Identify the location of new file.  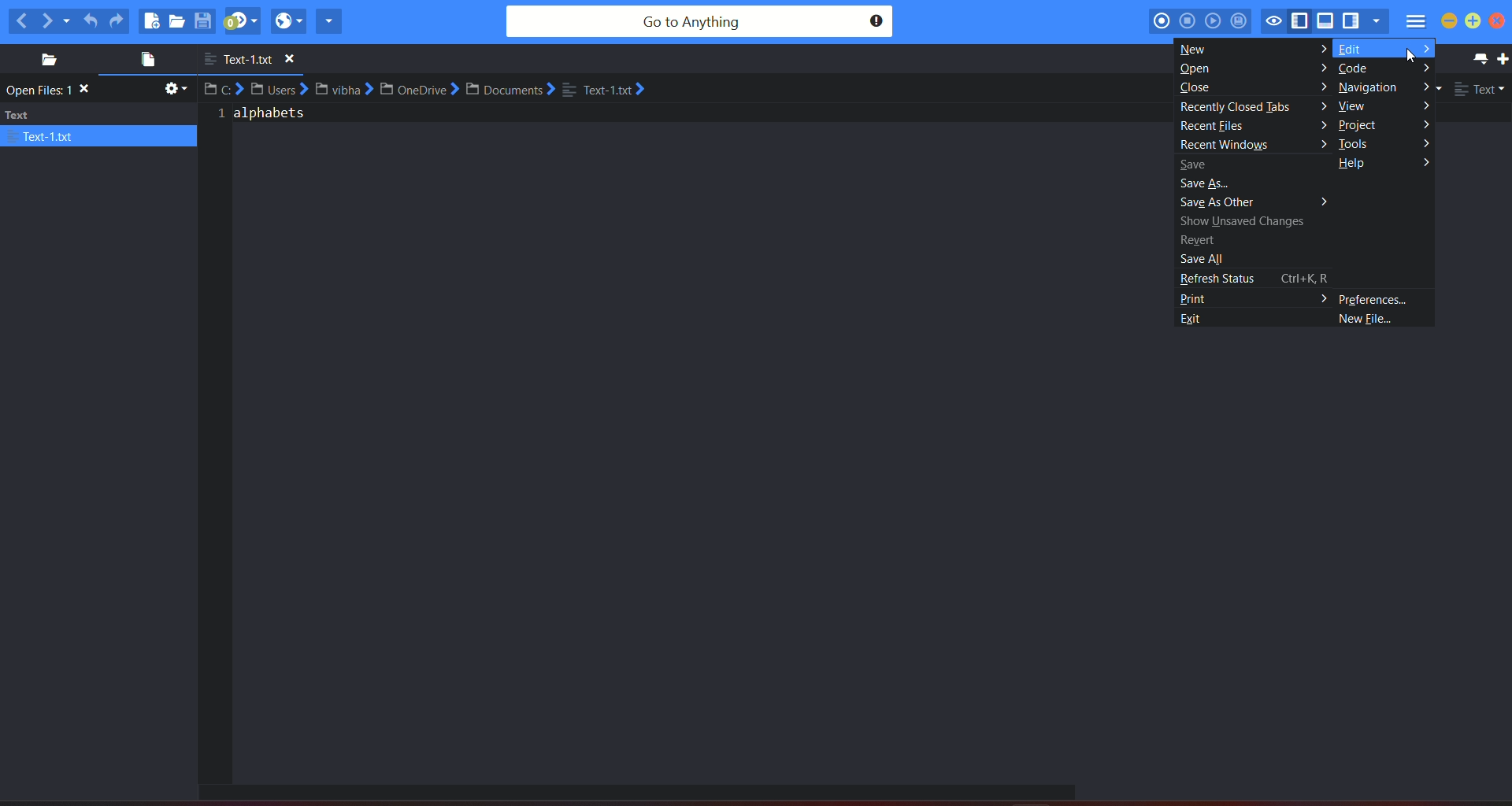
(151, 20).